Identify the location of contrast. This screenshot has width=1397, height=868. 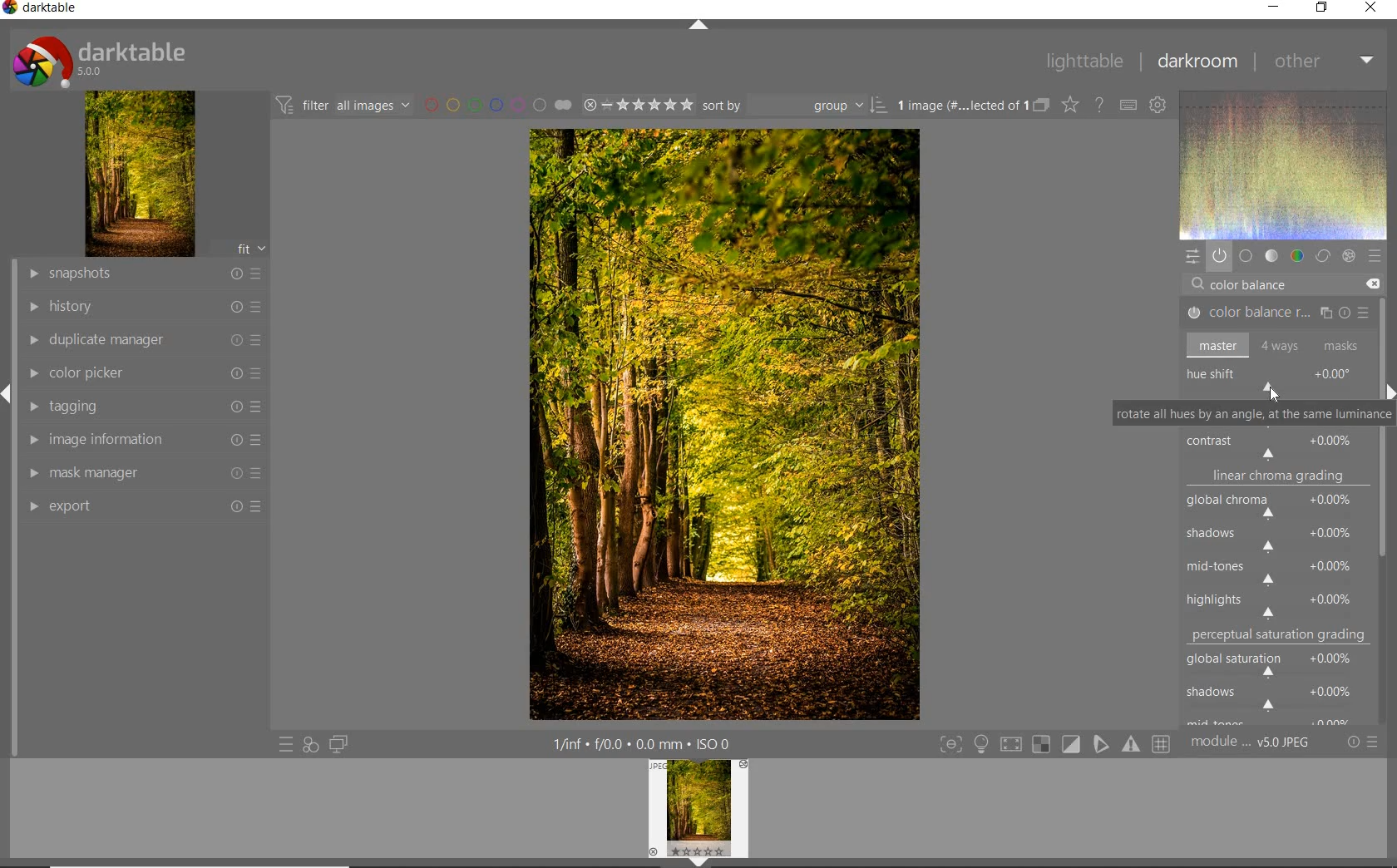
(1276, 445).